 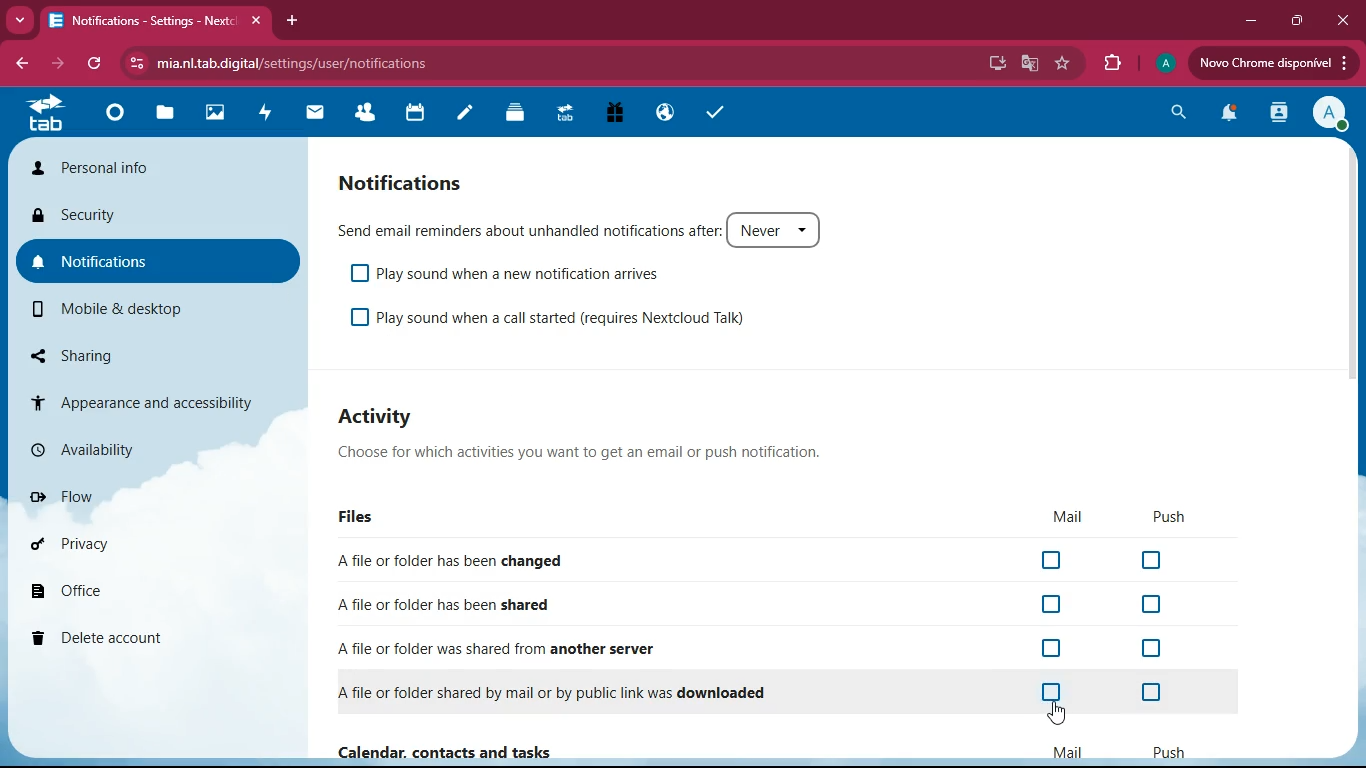 I want to click on favourite, so click(x=1059, y=66).